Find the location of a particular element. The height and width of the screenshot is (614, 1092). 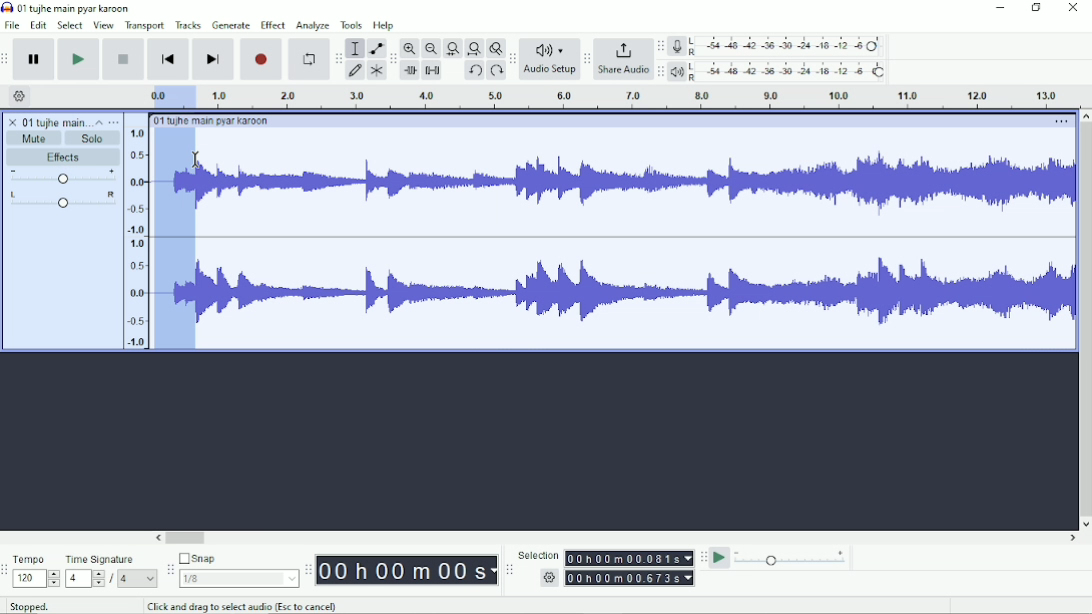

4 is located at coordinates (137, 578).